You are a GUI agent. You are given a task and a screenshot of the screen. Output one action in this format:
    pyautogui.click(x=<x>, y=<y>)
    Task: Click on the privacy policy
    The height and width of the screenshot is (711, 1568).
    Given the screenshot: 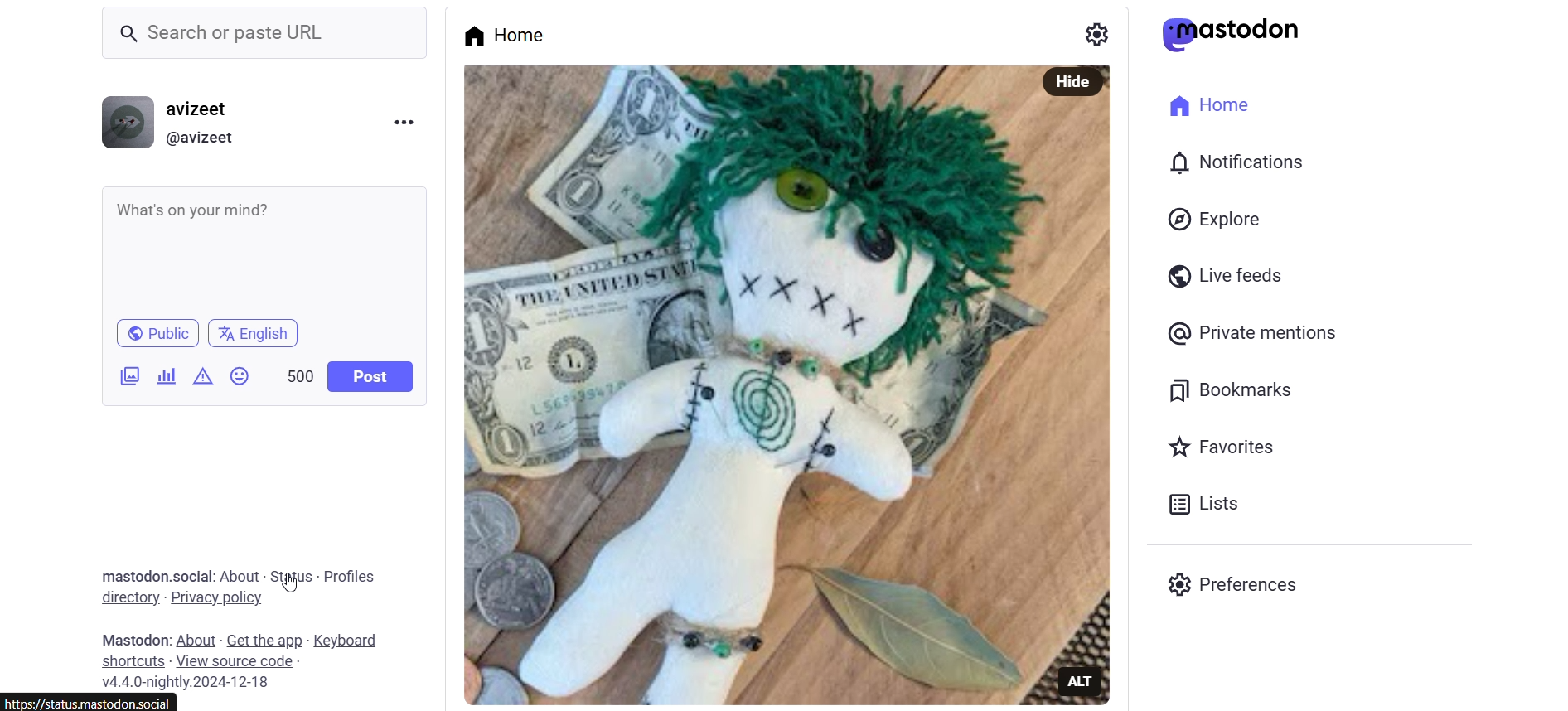 What is the action you would take?
    pyautogui.click(x=220, y=601)
    